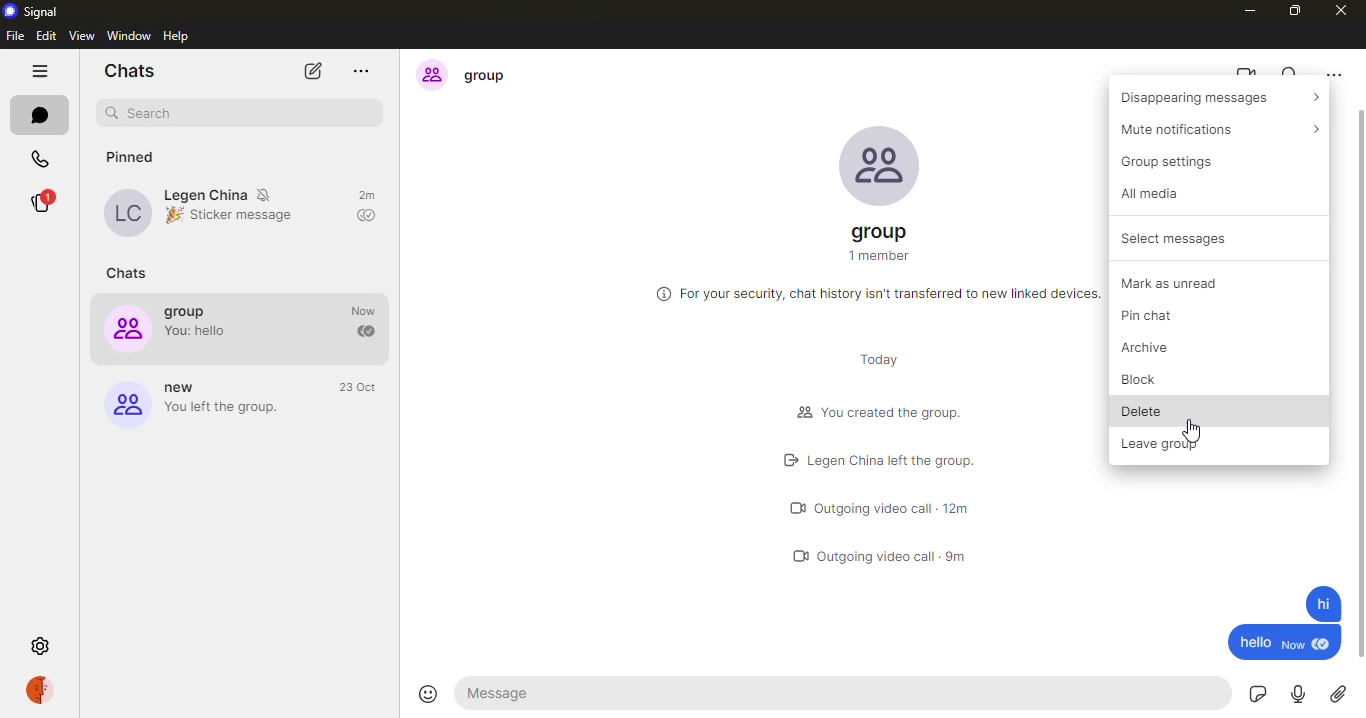 The height and width of the screenshot is (718, 1366). What do you see at coordinates (1147, 193) in the screenshot?
I see `all media` at bounding box center [1147, 193].